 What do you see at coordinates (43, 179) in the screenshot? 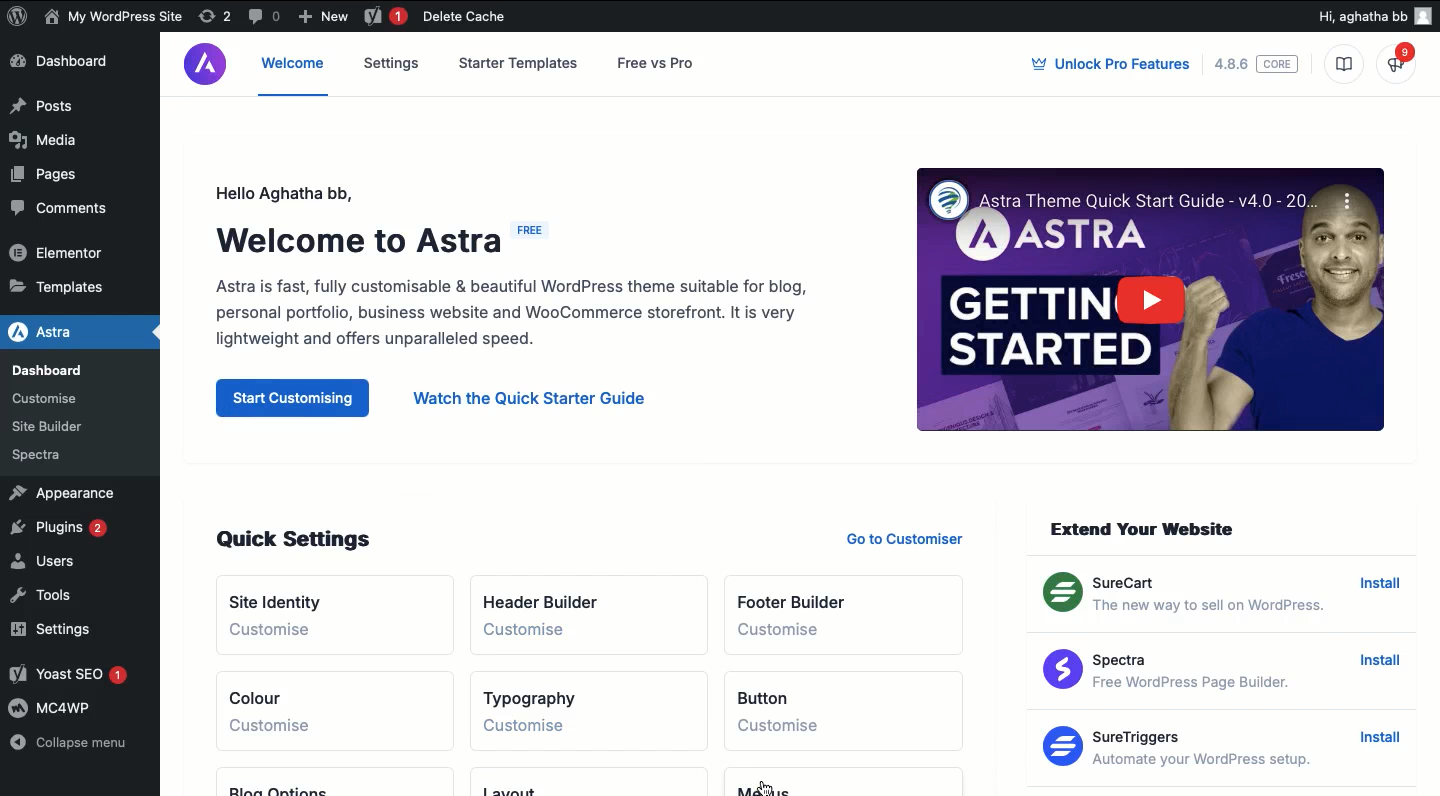
I see `Pages` at bounding box center [43, 179].